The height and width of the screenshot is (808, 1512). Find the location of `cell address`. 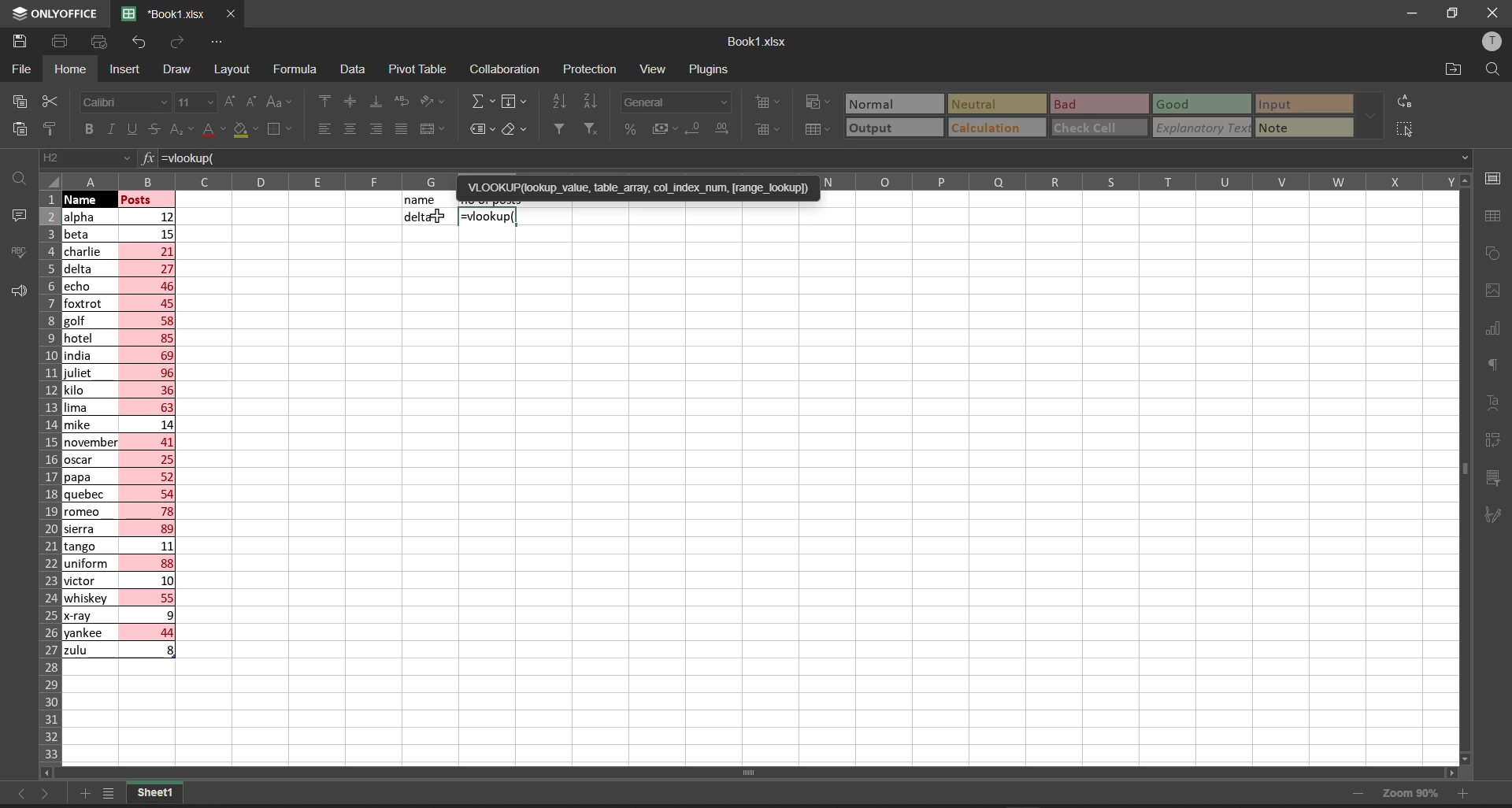

cell address is located at coordinates (84, 159).